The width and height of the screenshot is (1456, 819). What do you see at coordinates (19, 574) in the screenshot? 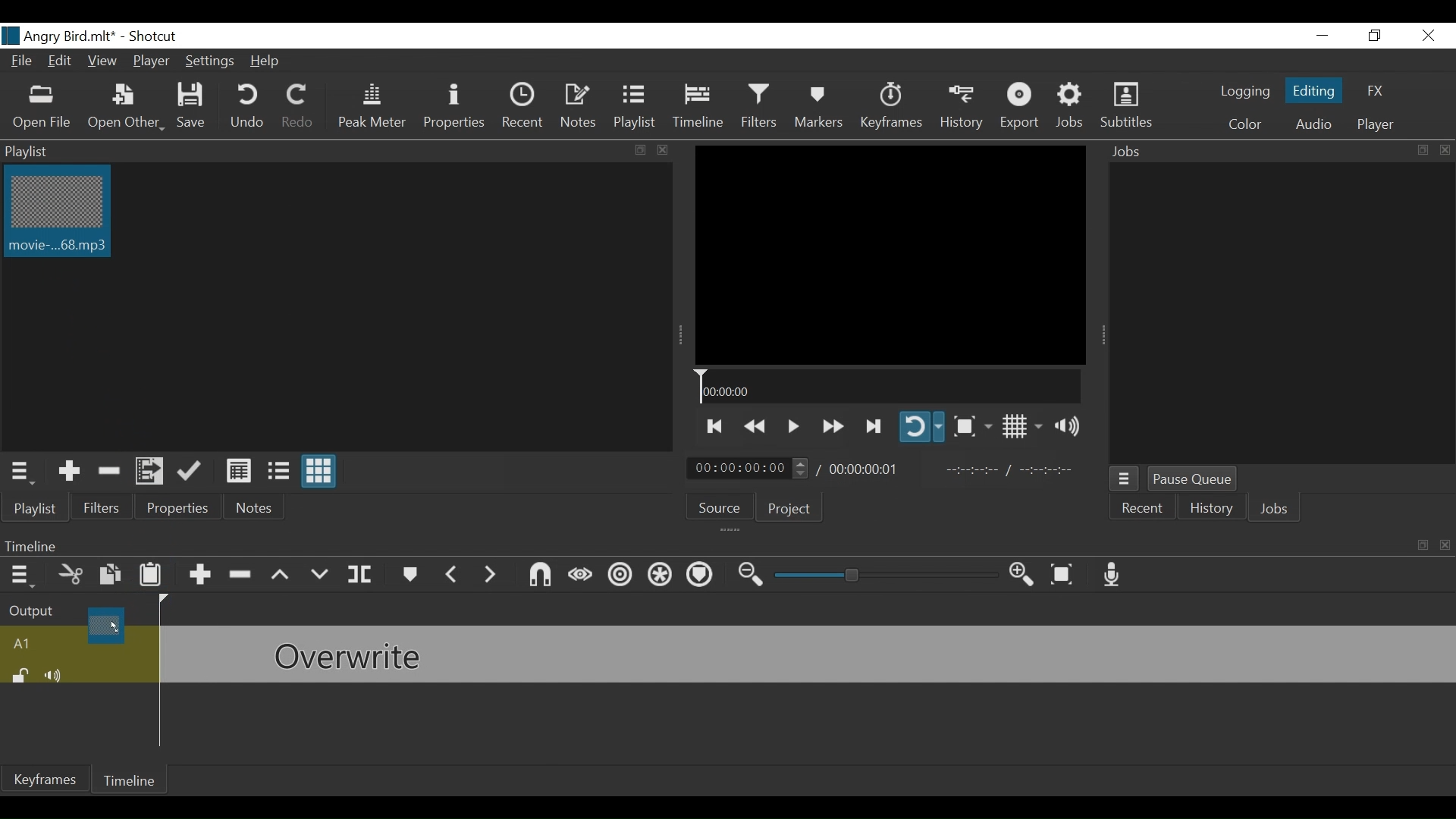
I see `Timeline menu` at bounding box center [19, 574].